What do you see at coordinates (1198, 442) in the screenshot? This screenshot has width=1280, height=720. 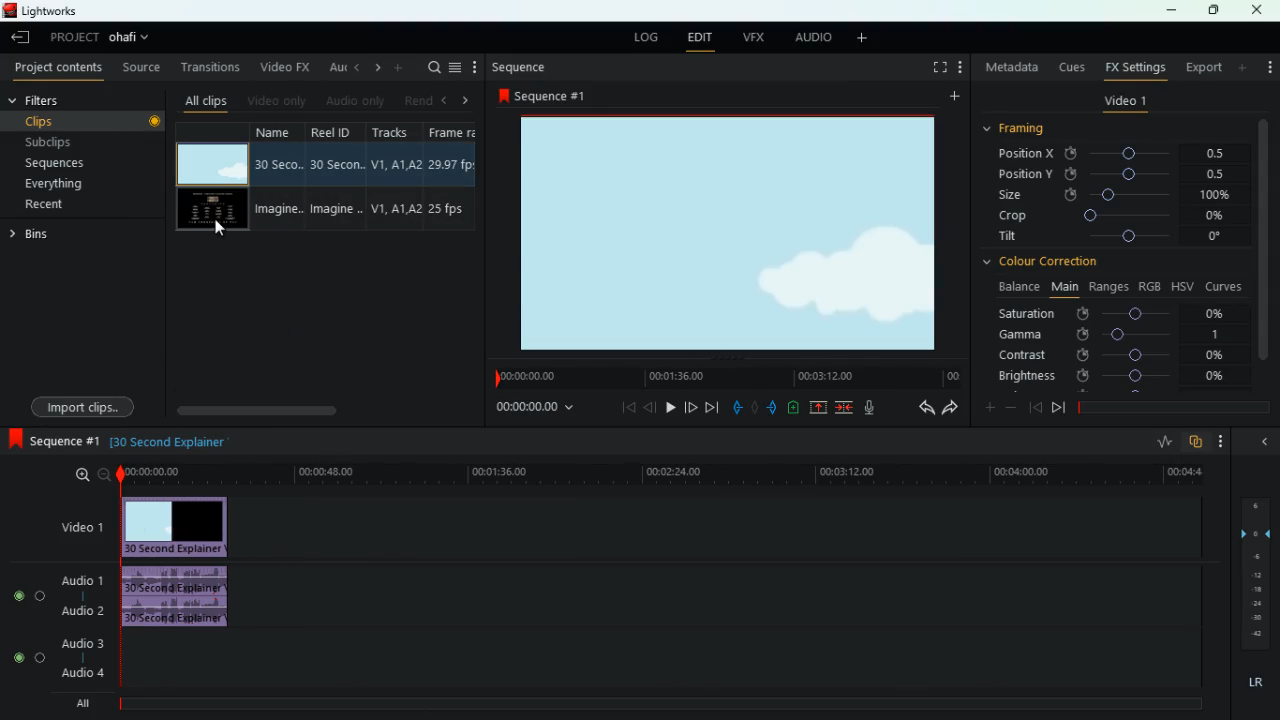 I see `overlap` at bounding box center [1198, 442].